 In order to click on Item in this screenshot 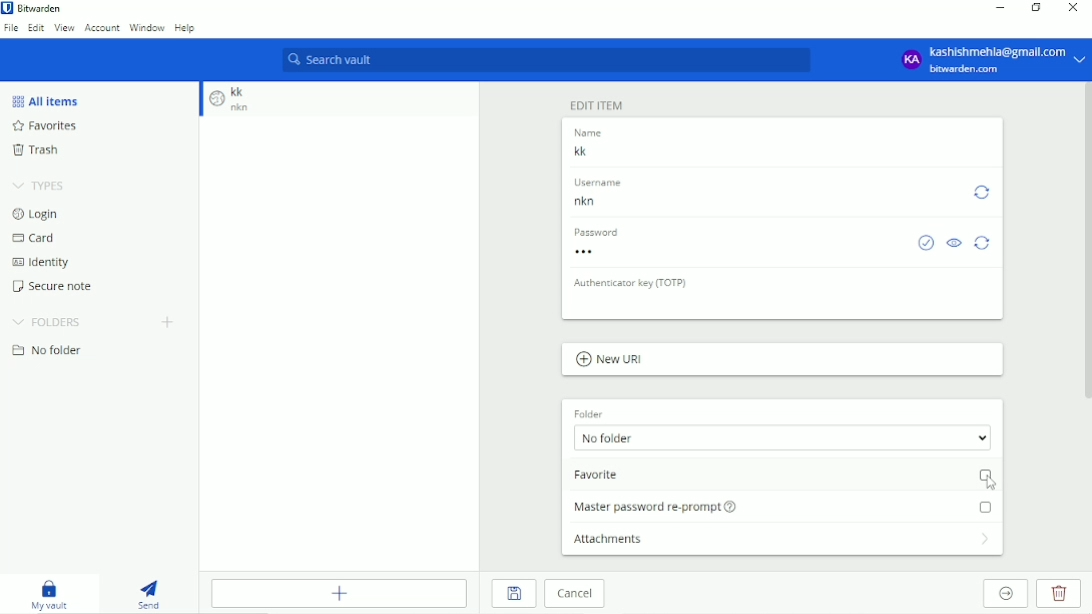, I will do `click(230, 101)`.